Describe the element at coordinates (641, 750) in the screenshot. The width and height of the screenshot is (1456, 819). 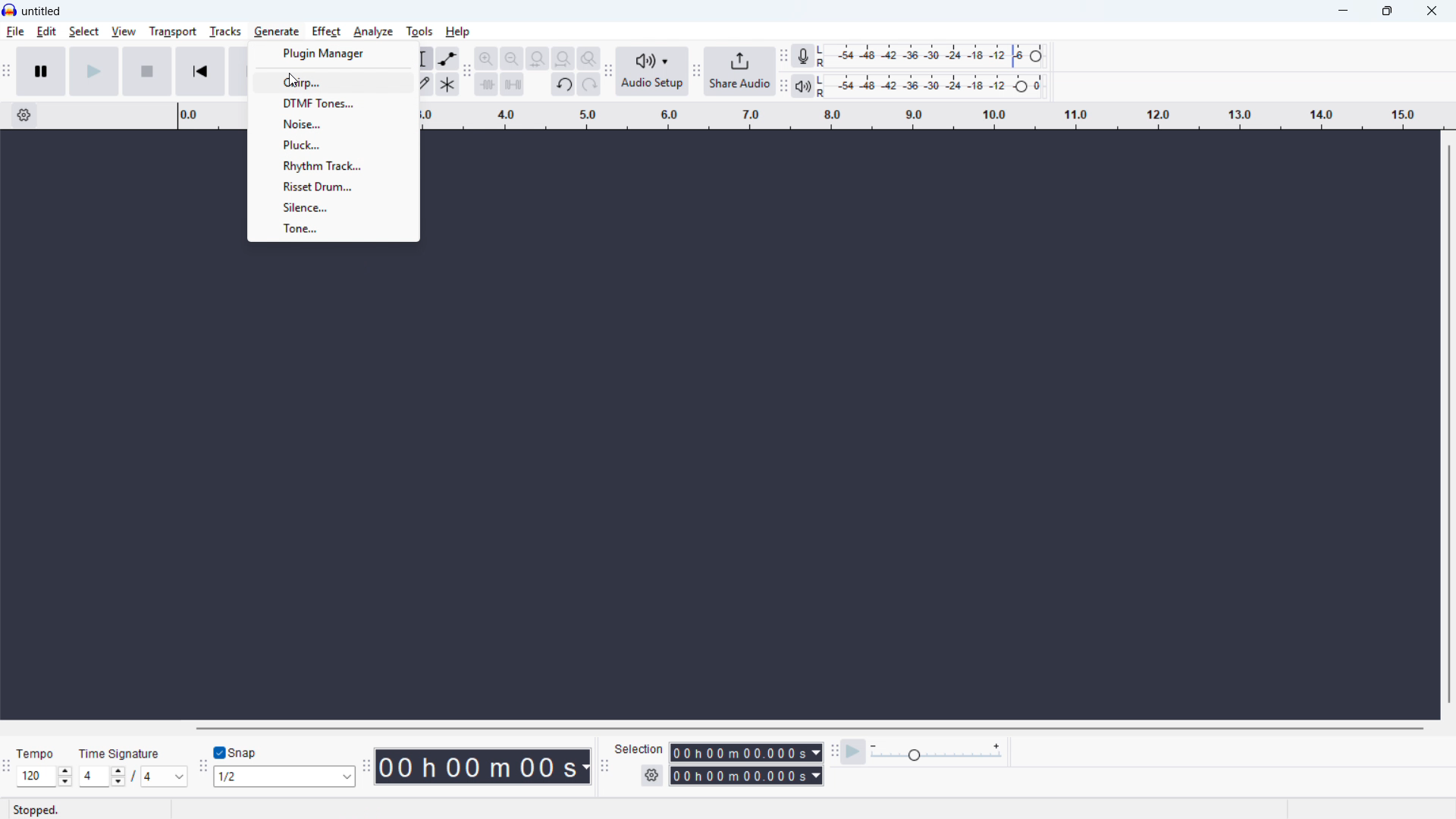
I see `Selection` at that location.